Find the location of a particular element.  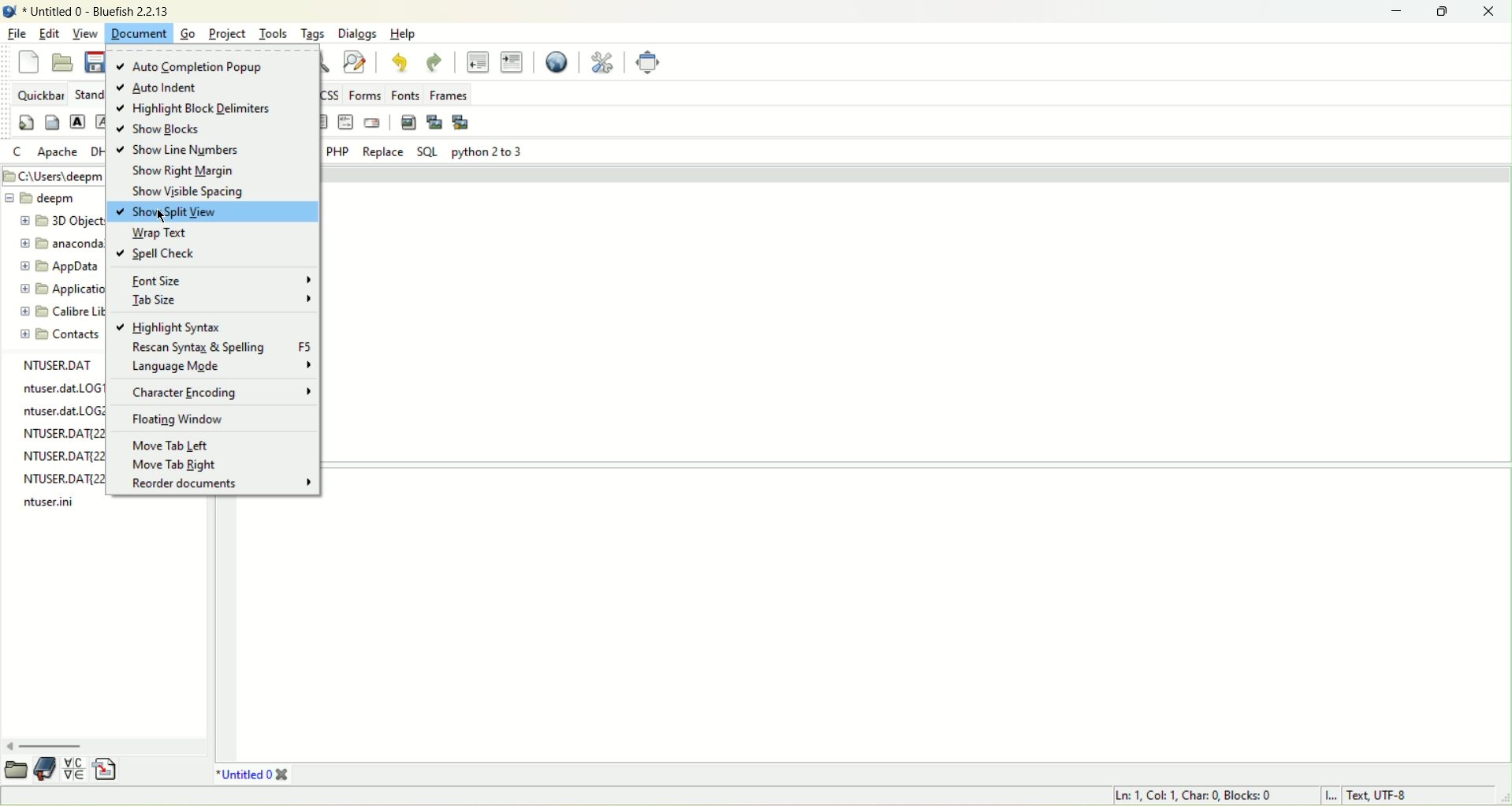

fonts is located at coordinates (404, 94).